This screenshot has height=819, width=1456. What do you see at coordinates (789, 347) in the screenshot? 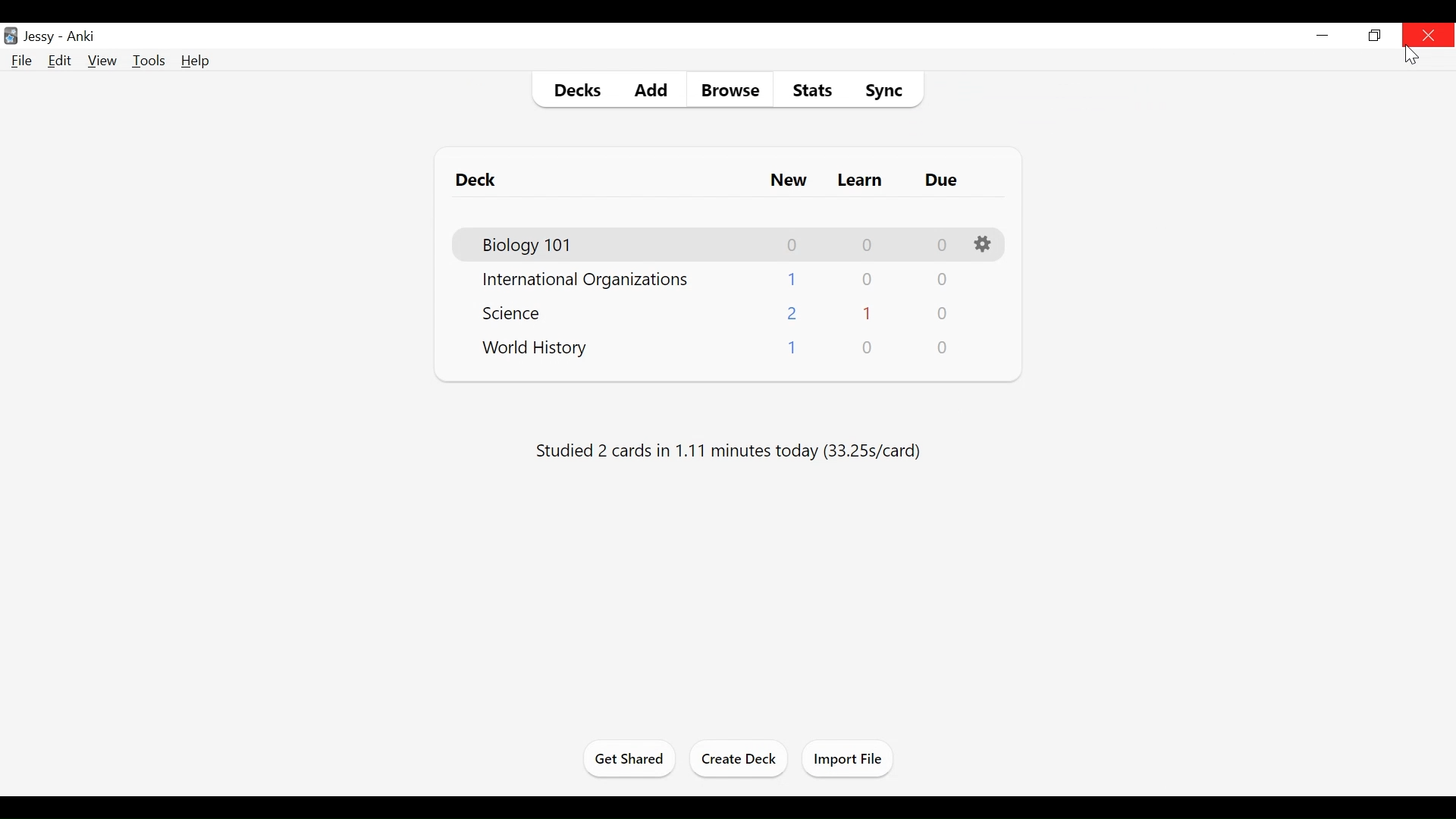
I see `New Cards Count` at bounding box center [789, 347].